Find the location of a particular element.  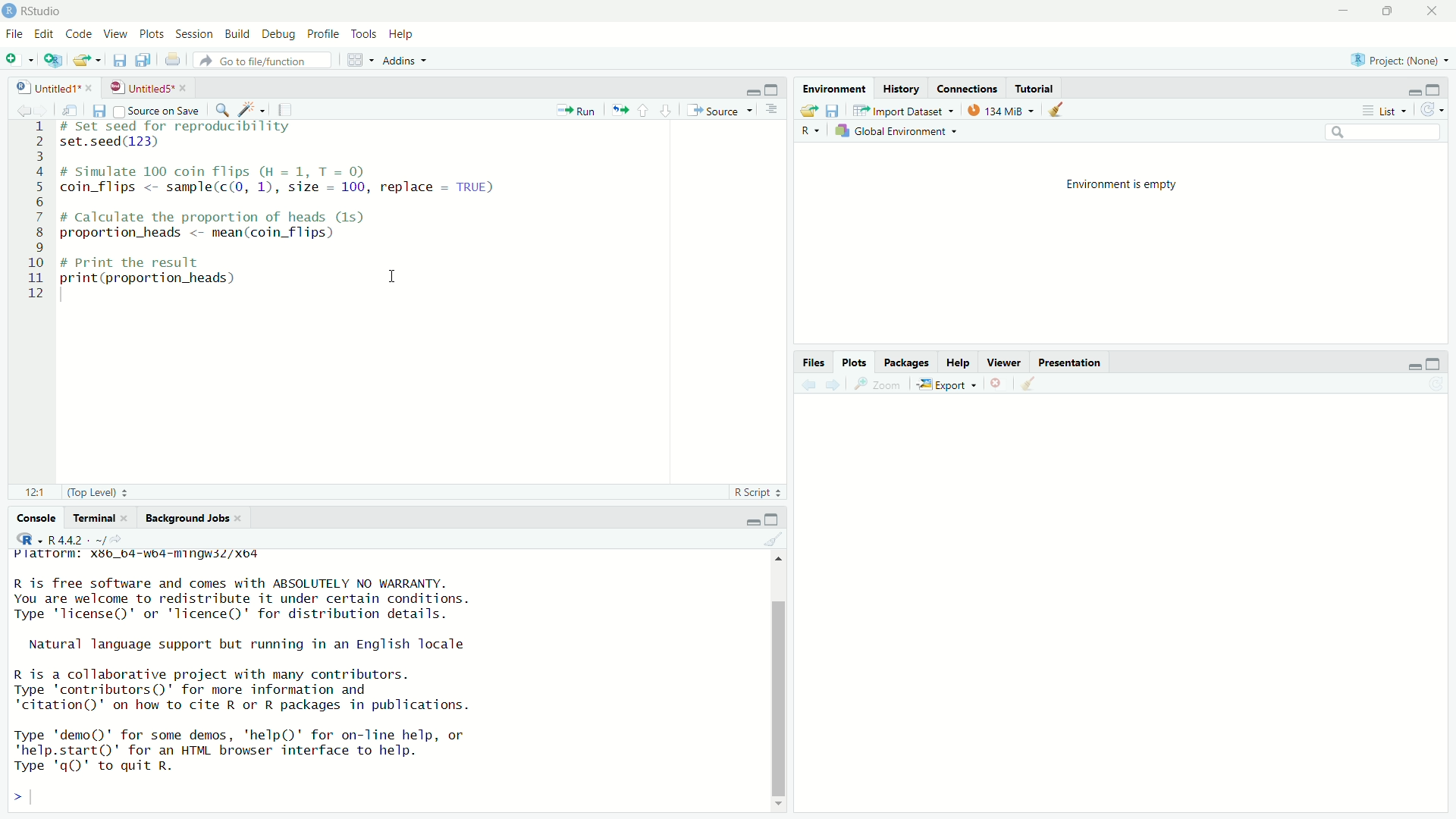

Natural language support but running in an English locale is located at coordinates (259, 646).